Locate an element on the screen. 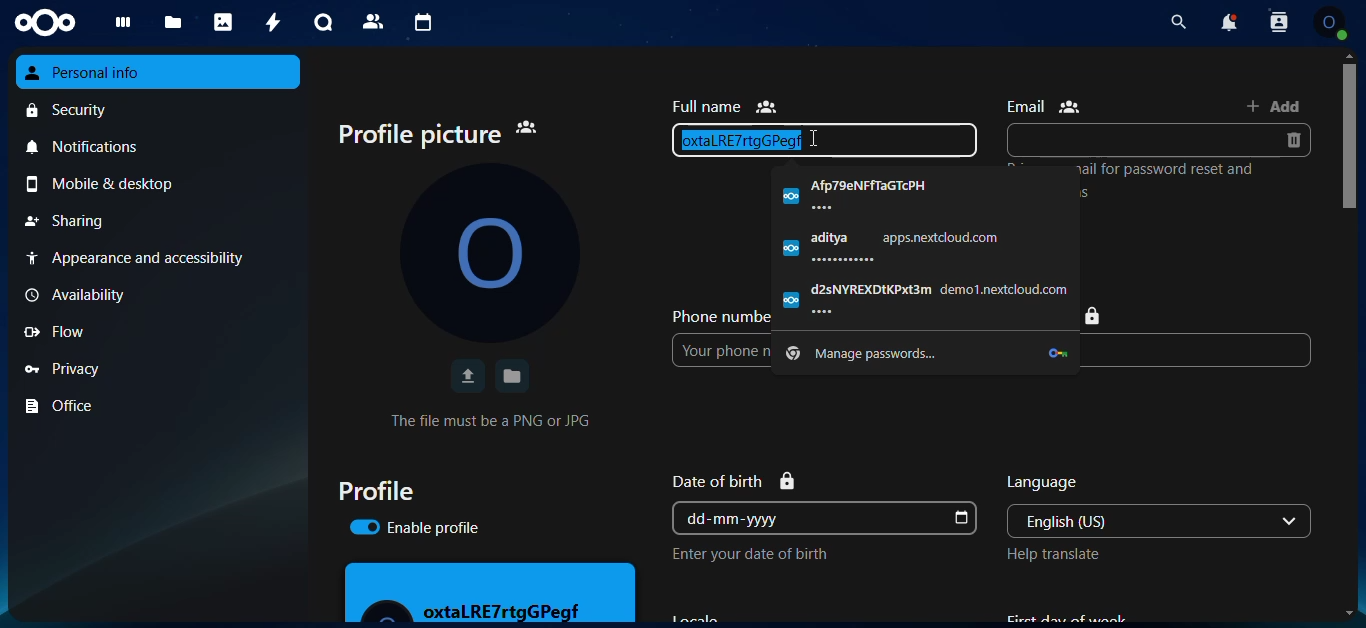  talk is located at coordinates (320, 23).